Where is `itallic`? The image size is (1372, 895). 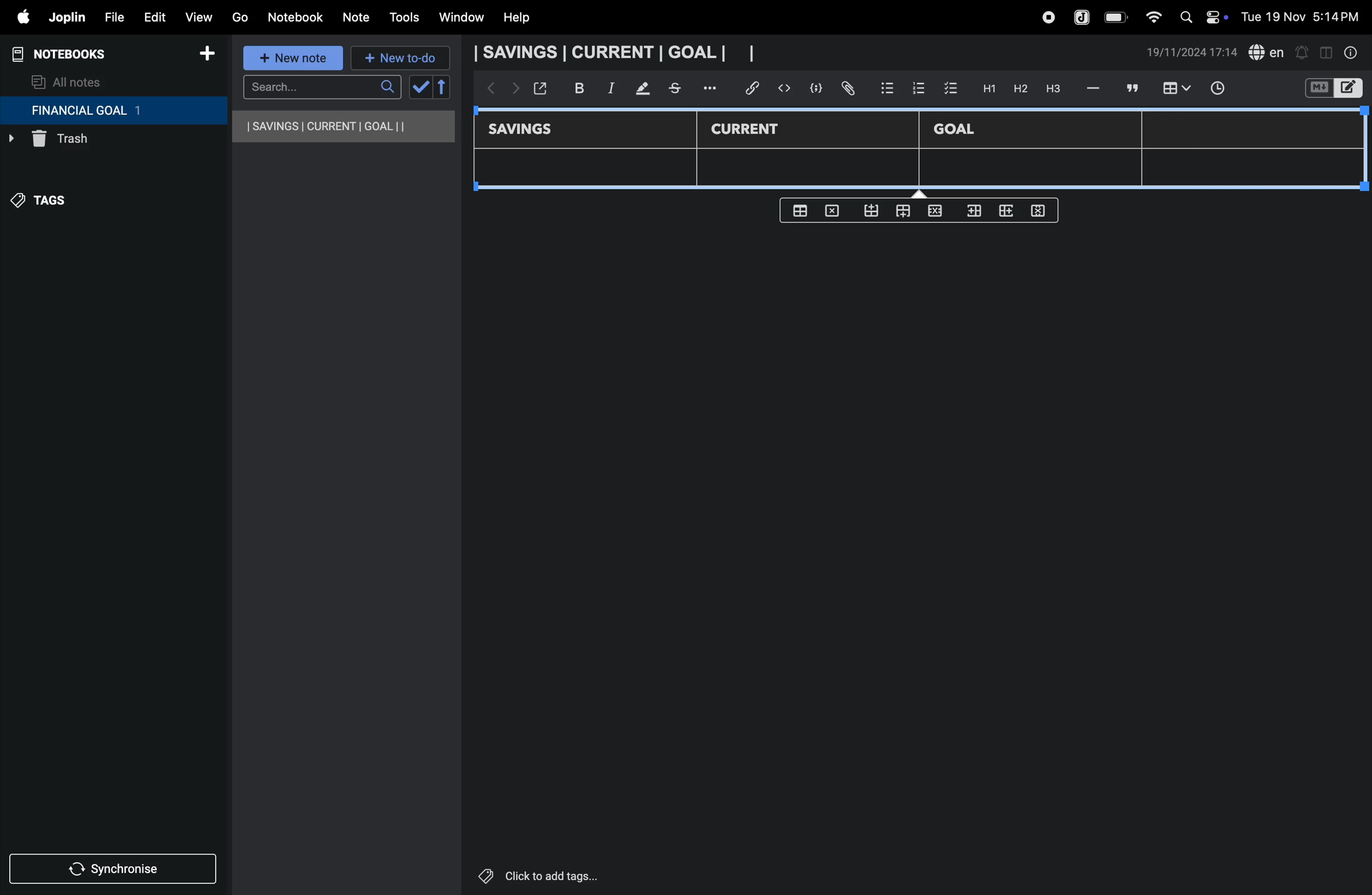
itallic is located at coordinates (609, 88).